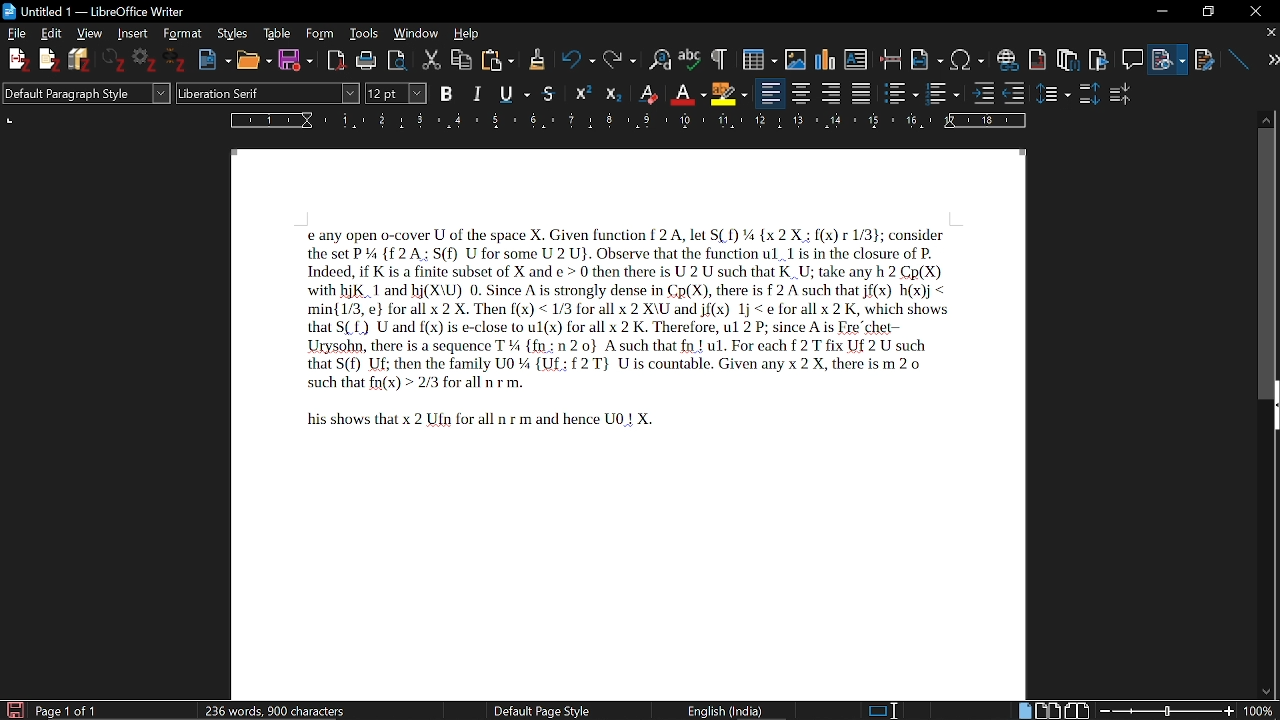 The image size is (1280, 720). I want to click on Save, so click(294, 61).